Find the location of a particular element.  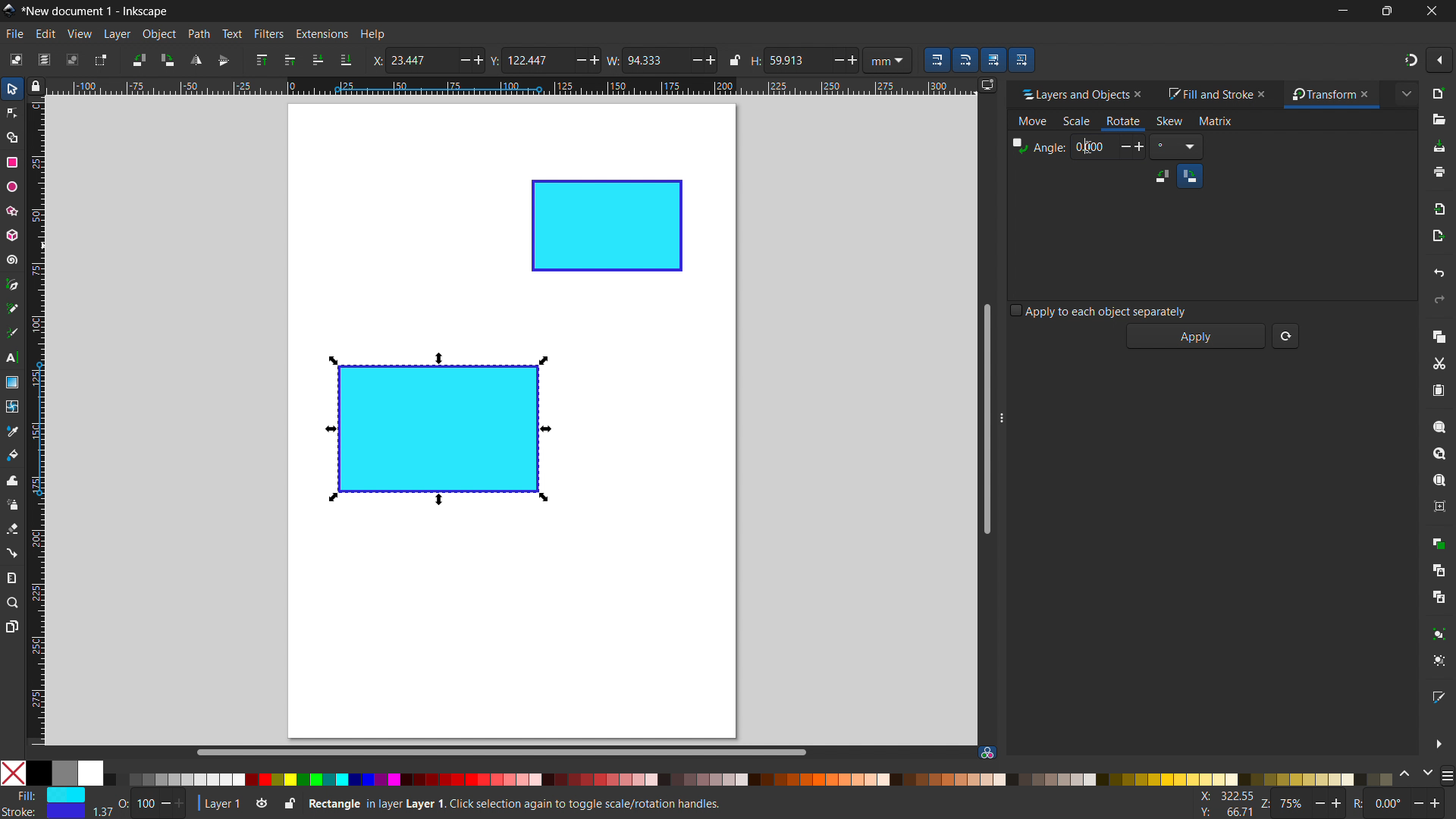

move gradients along with the objects is located at coordinates (993, 60).